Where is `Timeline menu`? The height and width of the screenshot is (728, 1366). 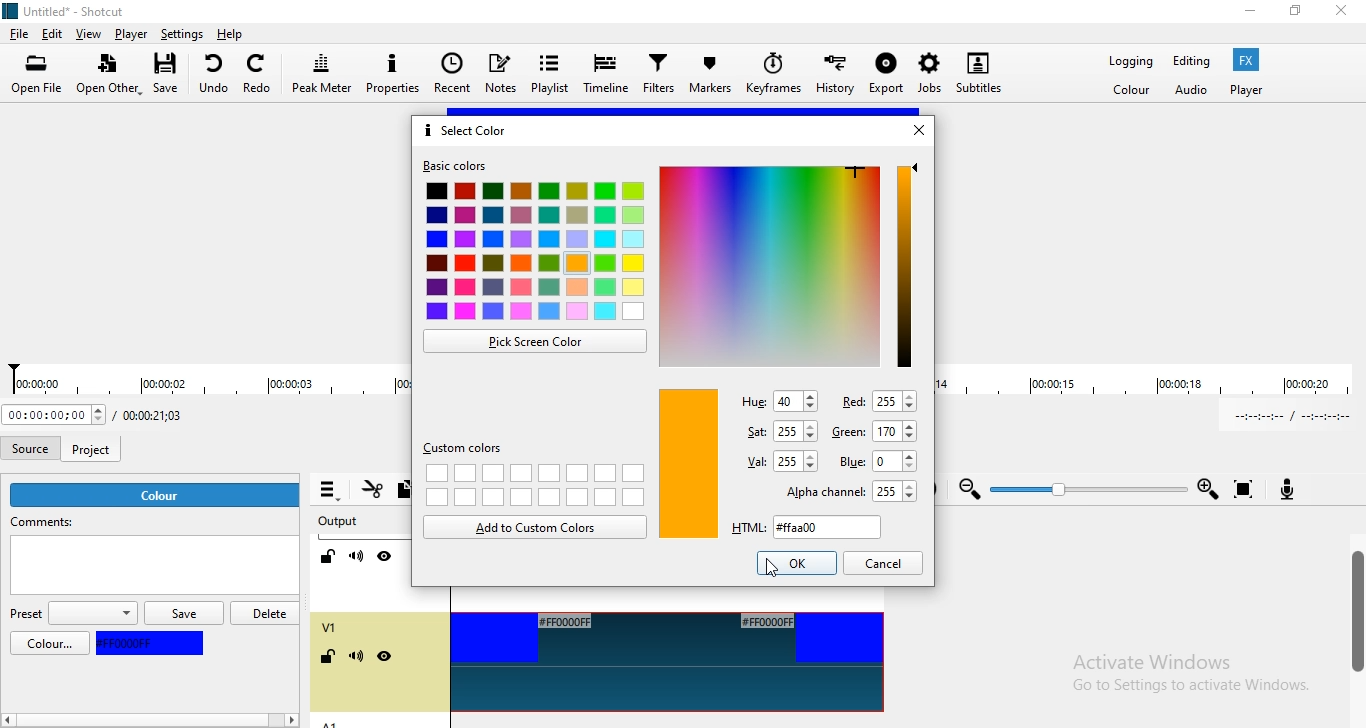 Timeline menu is located at coordinates (329, 491).